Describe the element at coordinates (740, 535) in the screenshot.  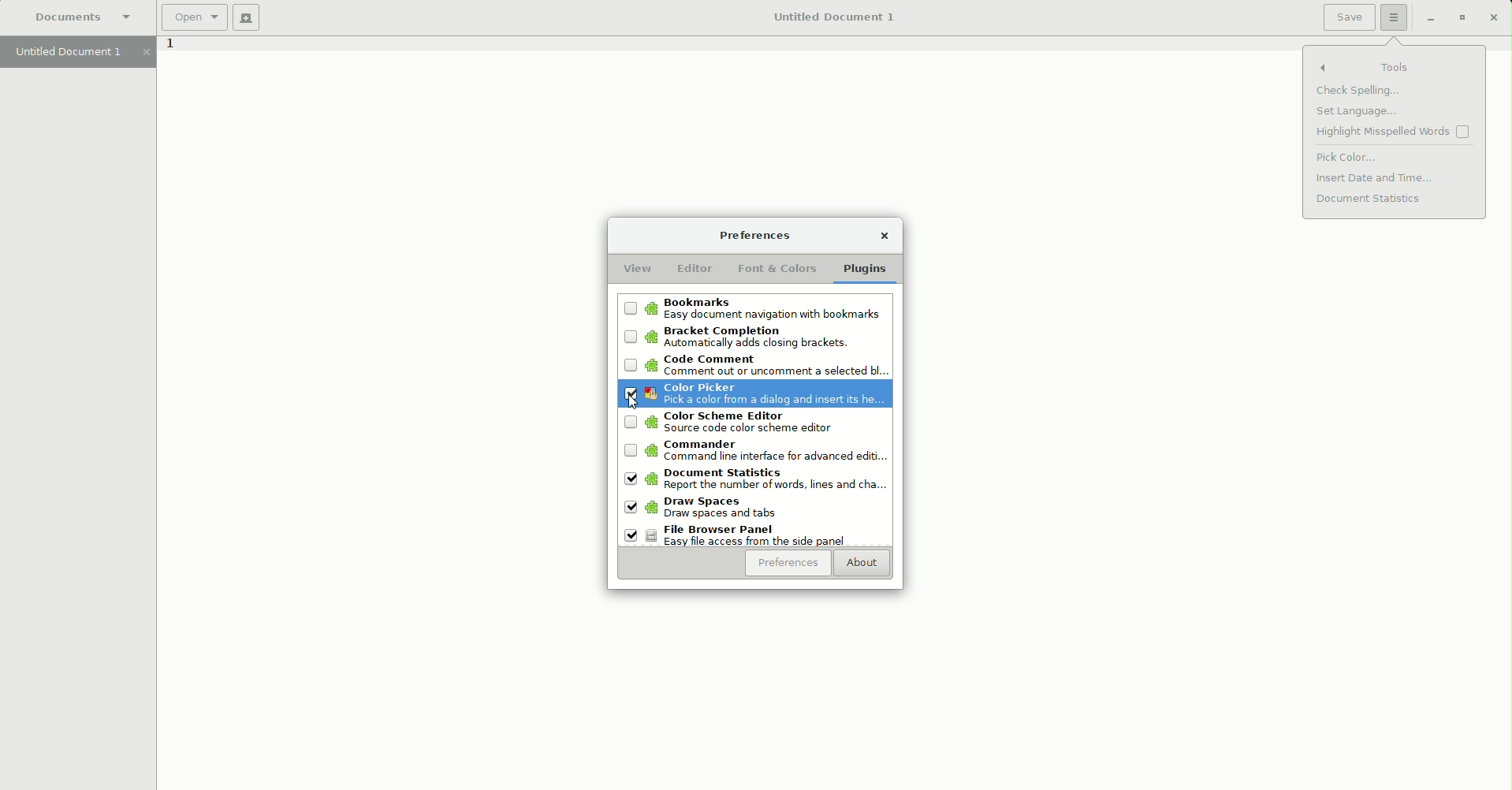
I see `File browser panel: Easy file access from the side panel` at that location.